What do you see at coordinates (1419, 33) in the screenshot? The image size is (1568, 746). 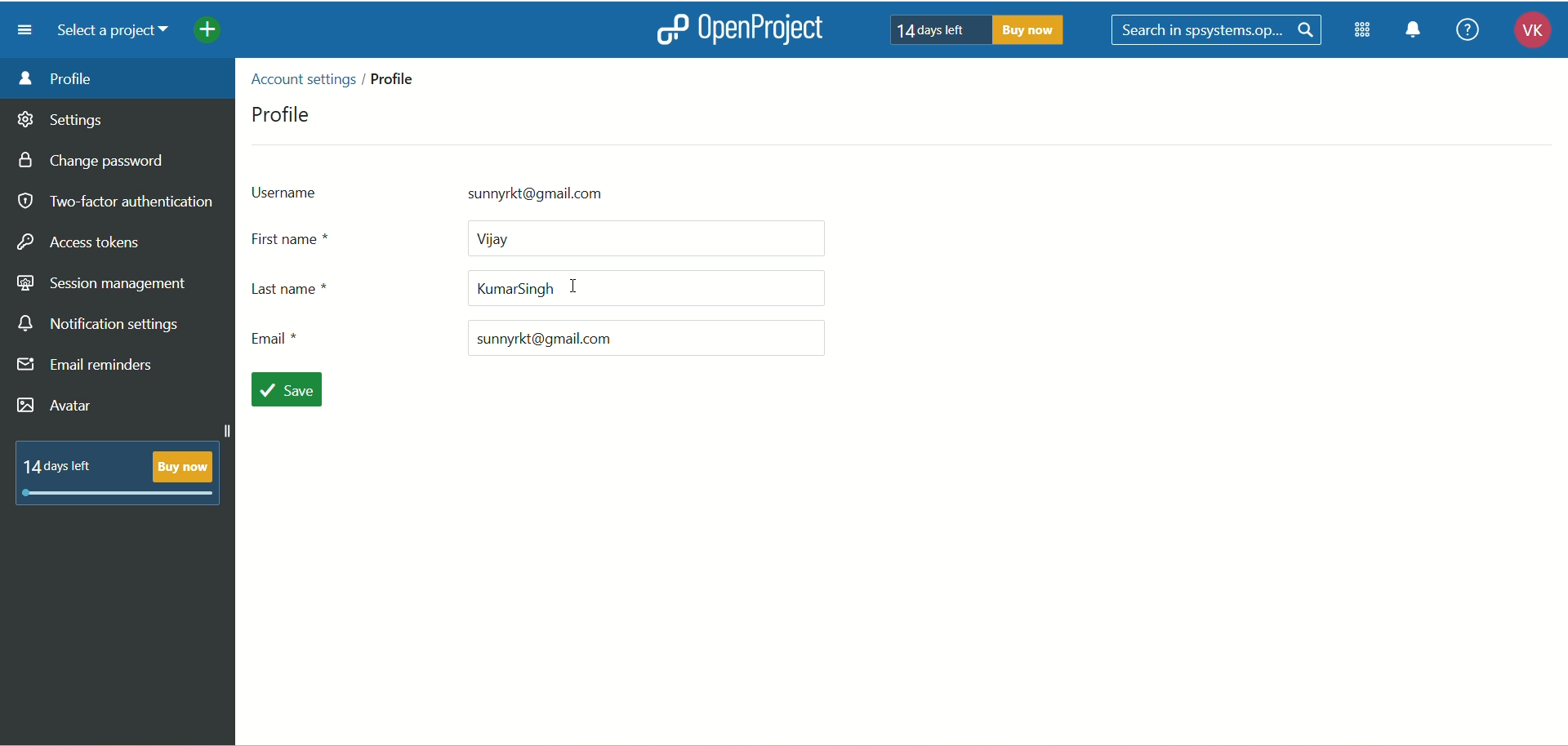 I see `notification` at bounding box center [1419, 33].